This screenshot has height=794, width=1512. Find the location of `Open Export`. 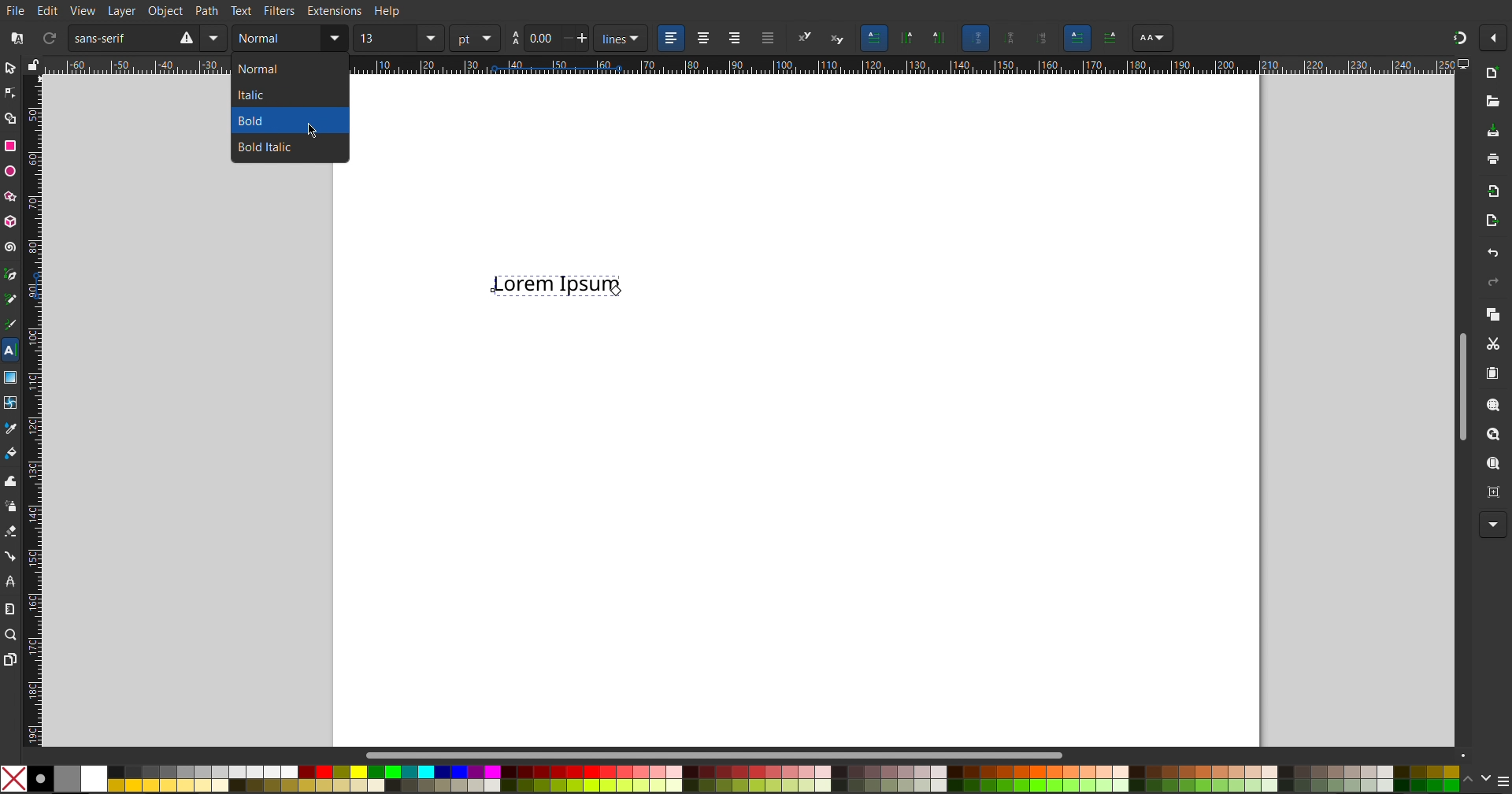

Open Export is located at coordinates (1492, 223).